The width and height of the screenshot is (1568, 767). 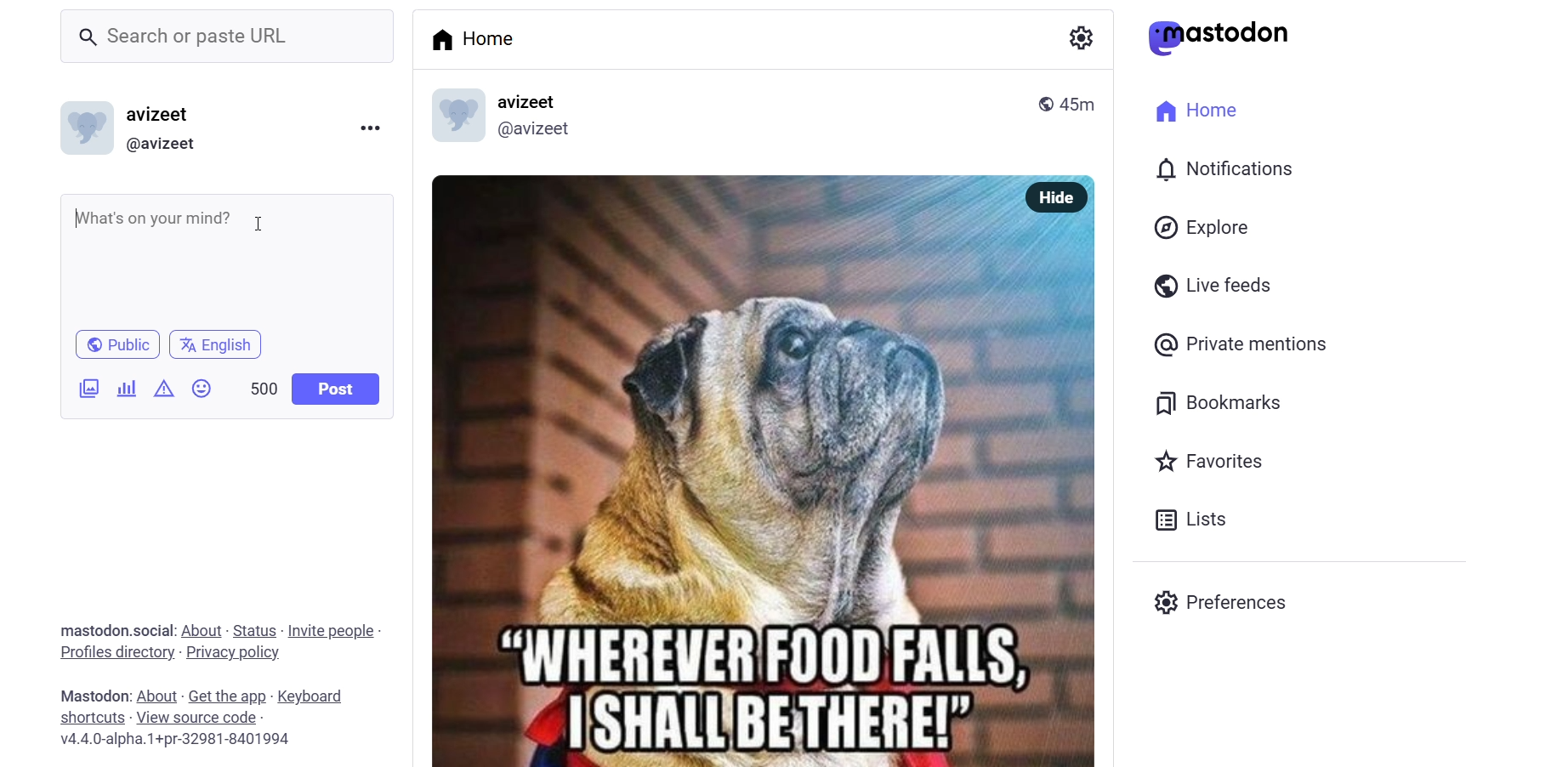 I want to click on  Preferences, so click(x=1233, y=608).